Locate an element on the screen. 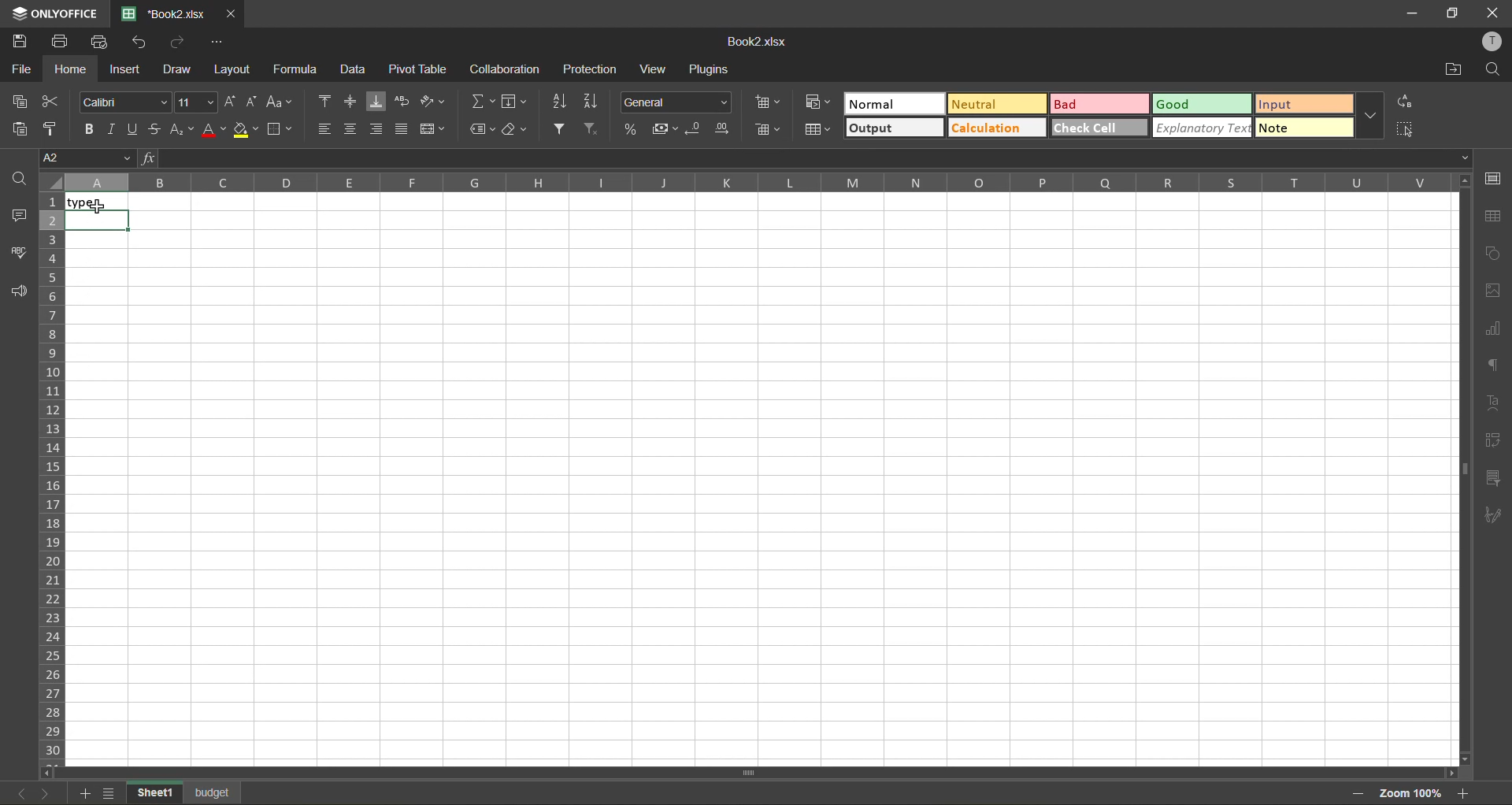  add sheet is located at coordinates (81, 795).